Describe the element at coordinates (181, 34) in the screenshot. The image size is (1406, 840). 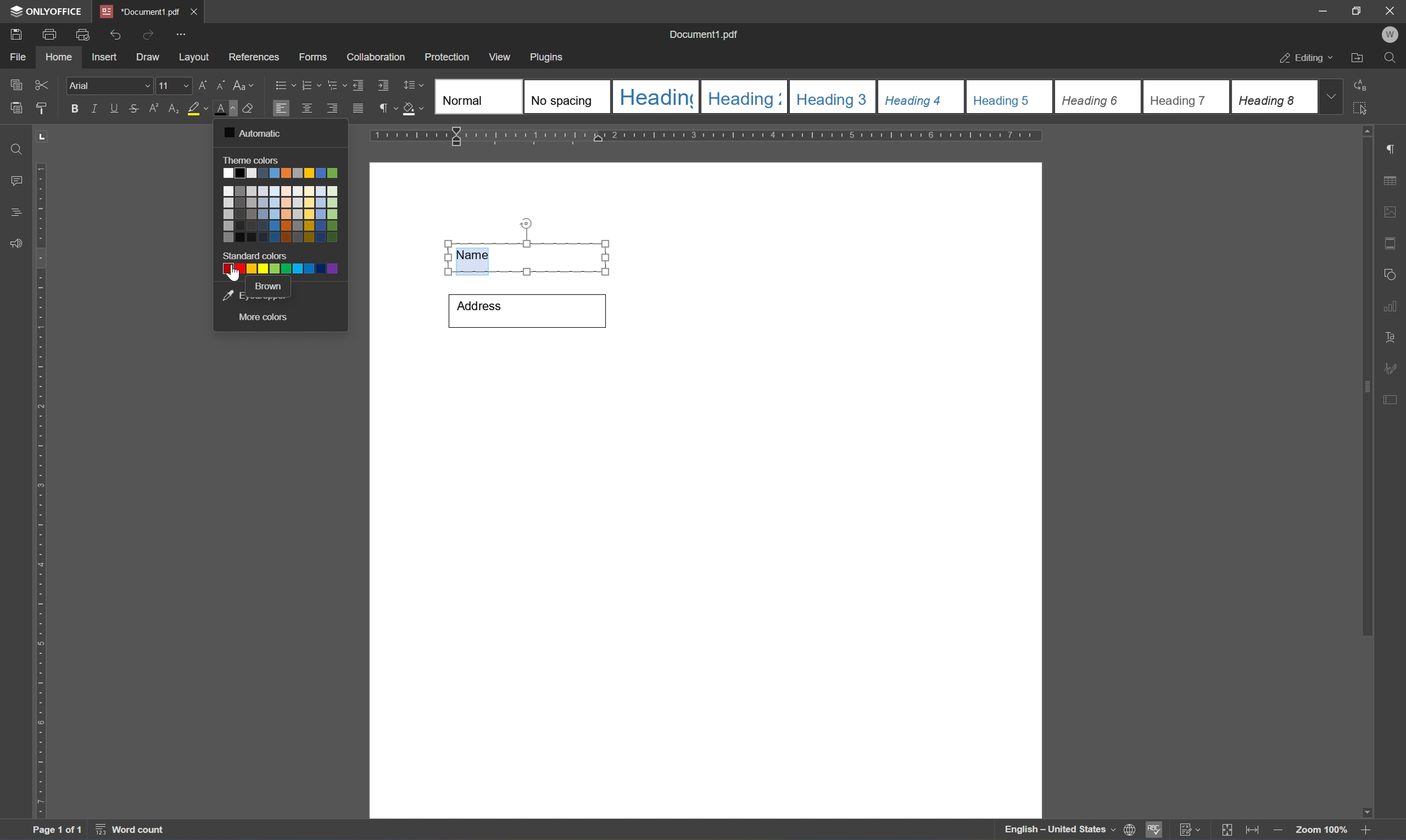
I see `customize quick access toolbar` at that location.